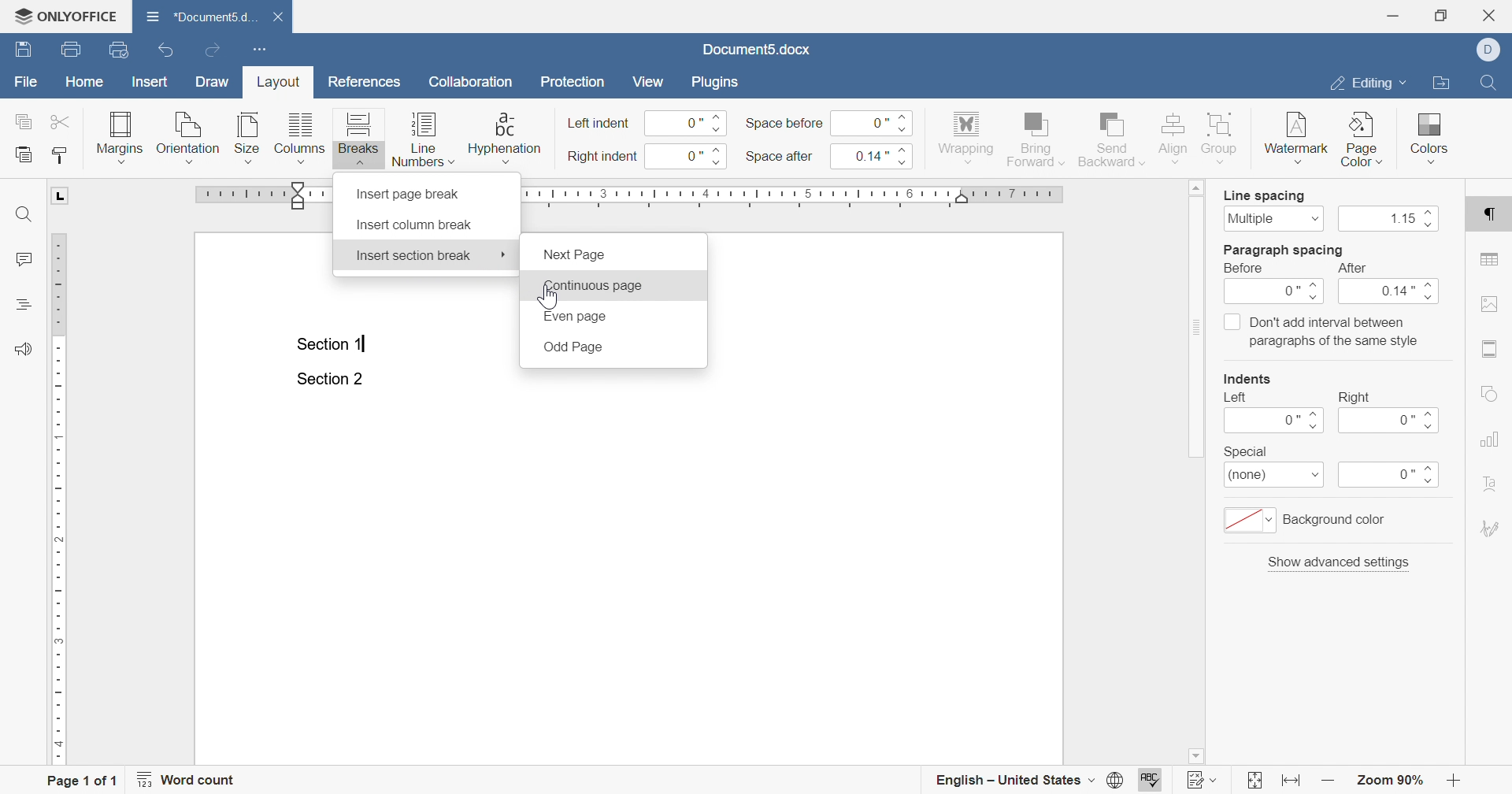  Describe the element at coordinates (574, 82) in the screenshot. I see `protection` at that location.